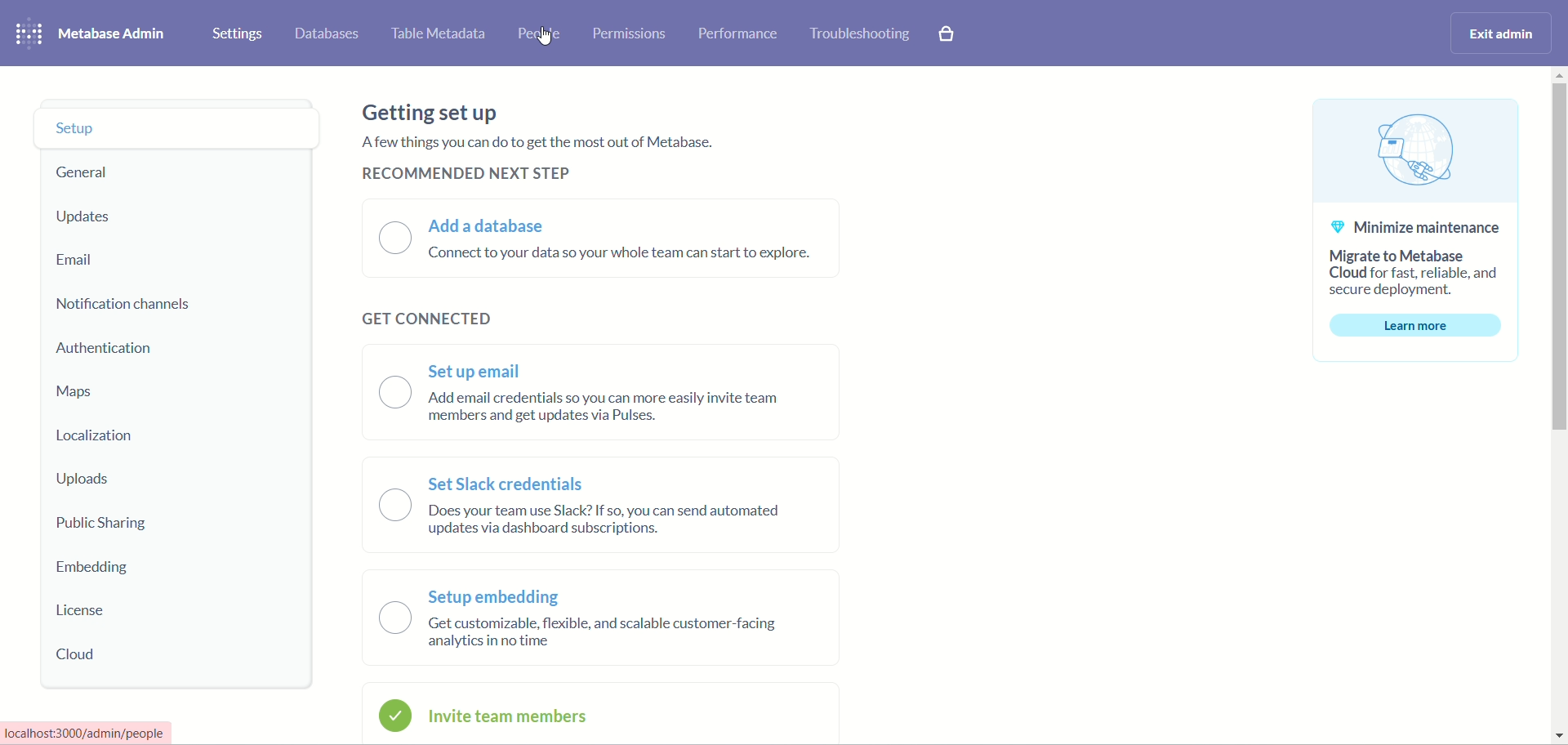 This screenshot has width=1568, height=745. I want to click on getting set up, so click(432, 114).